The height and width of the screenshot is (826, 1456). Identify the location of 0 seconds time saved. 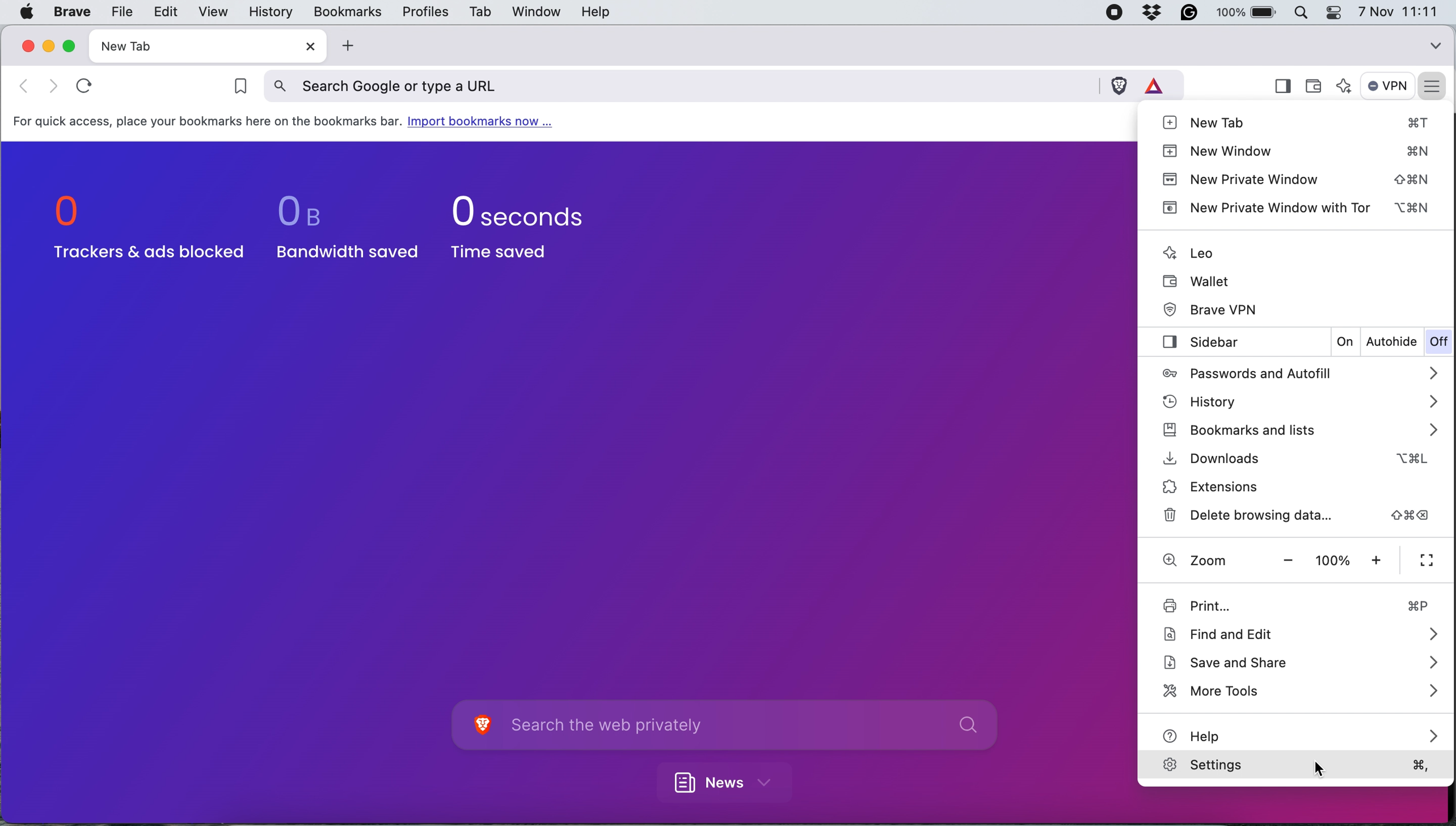
(521, 225).